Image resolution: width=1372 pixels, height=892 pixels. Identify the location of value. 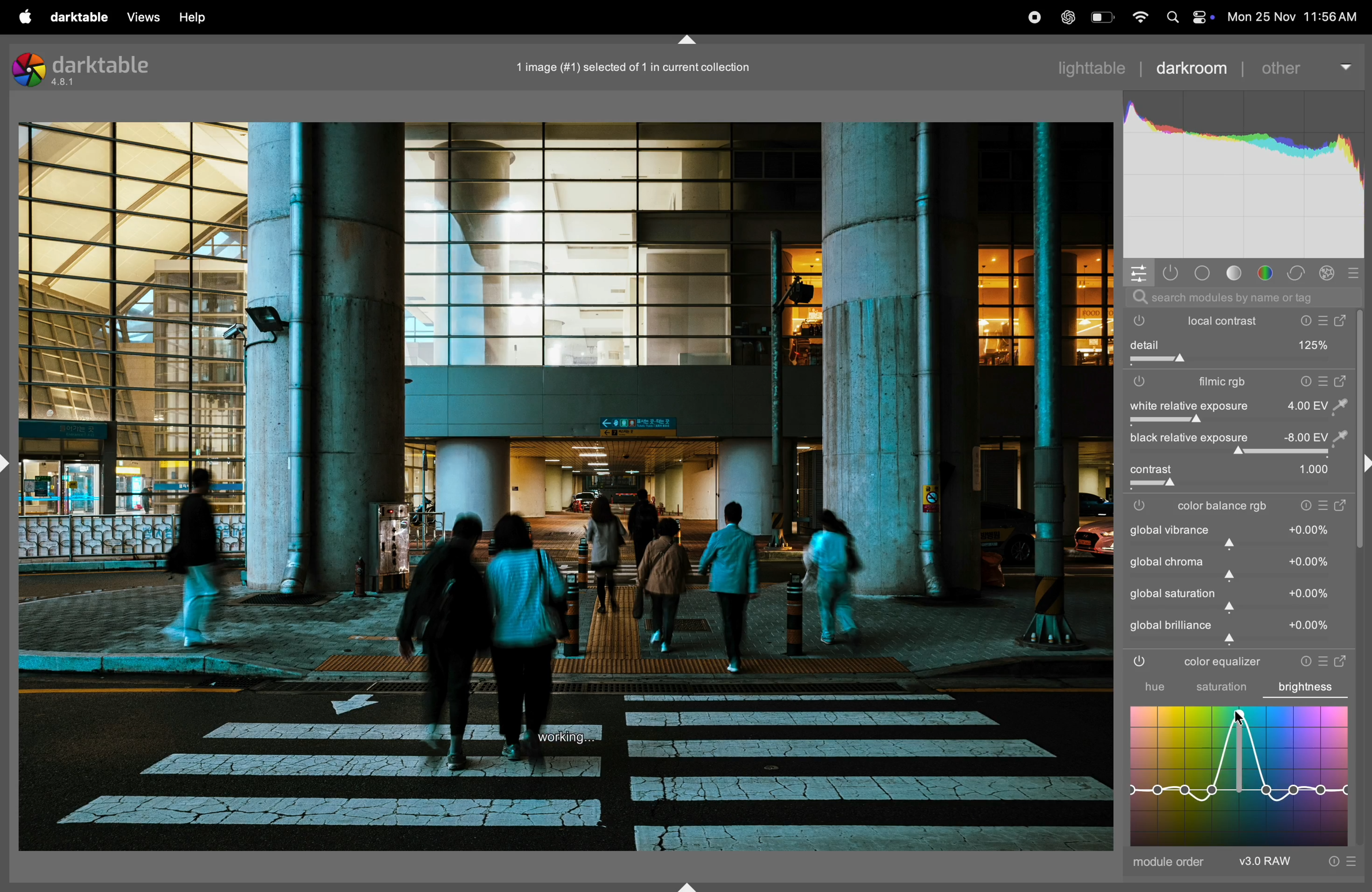
(1310, 529).